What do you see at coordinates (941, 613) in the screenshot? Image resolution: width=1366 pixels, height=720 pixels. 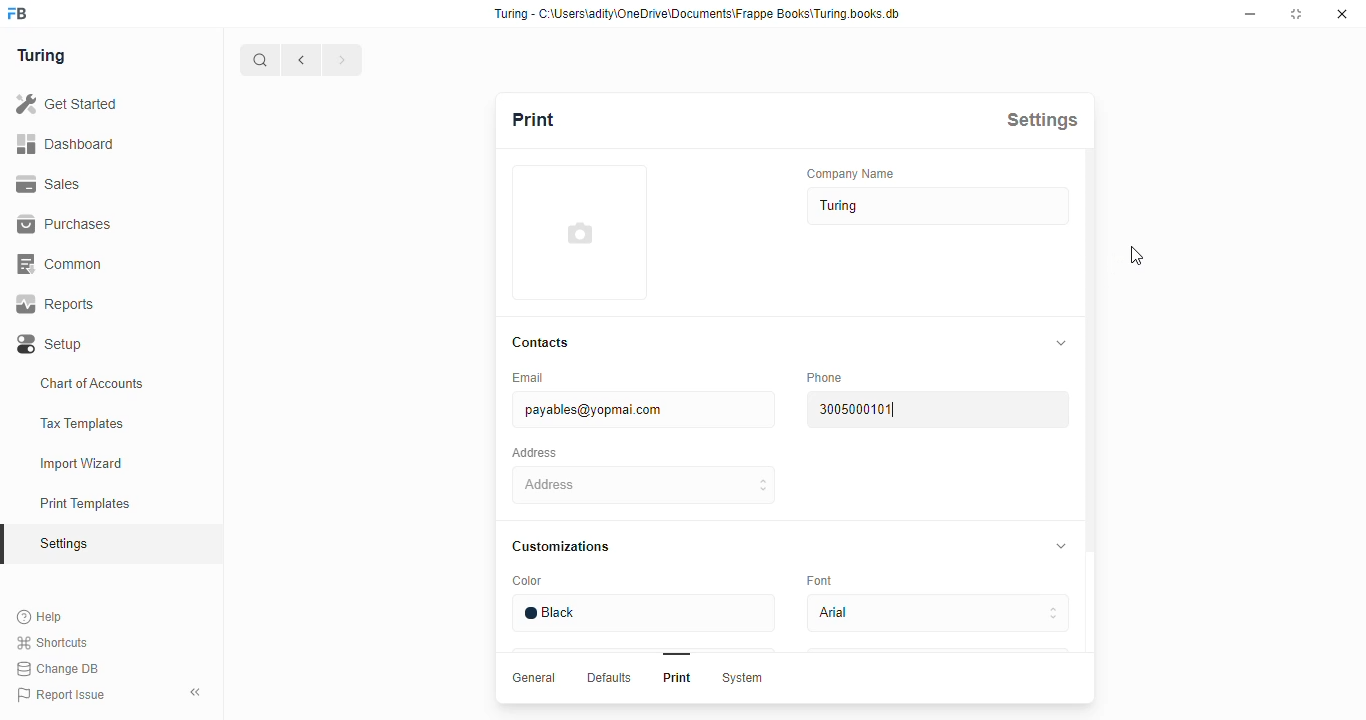 I see `Adal` at bounding box center [941, 613].